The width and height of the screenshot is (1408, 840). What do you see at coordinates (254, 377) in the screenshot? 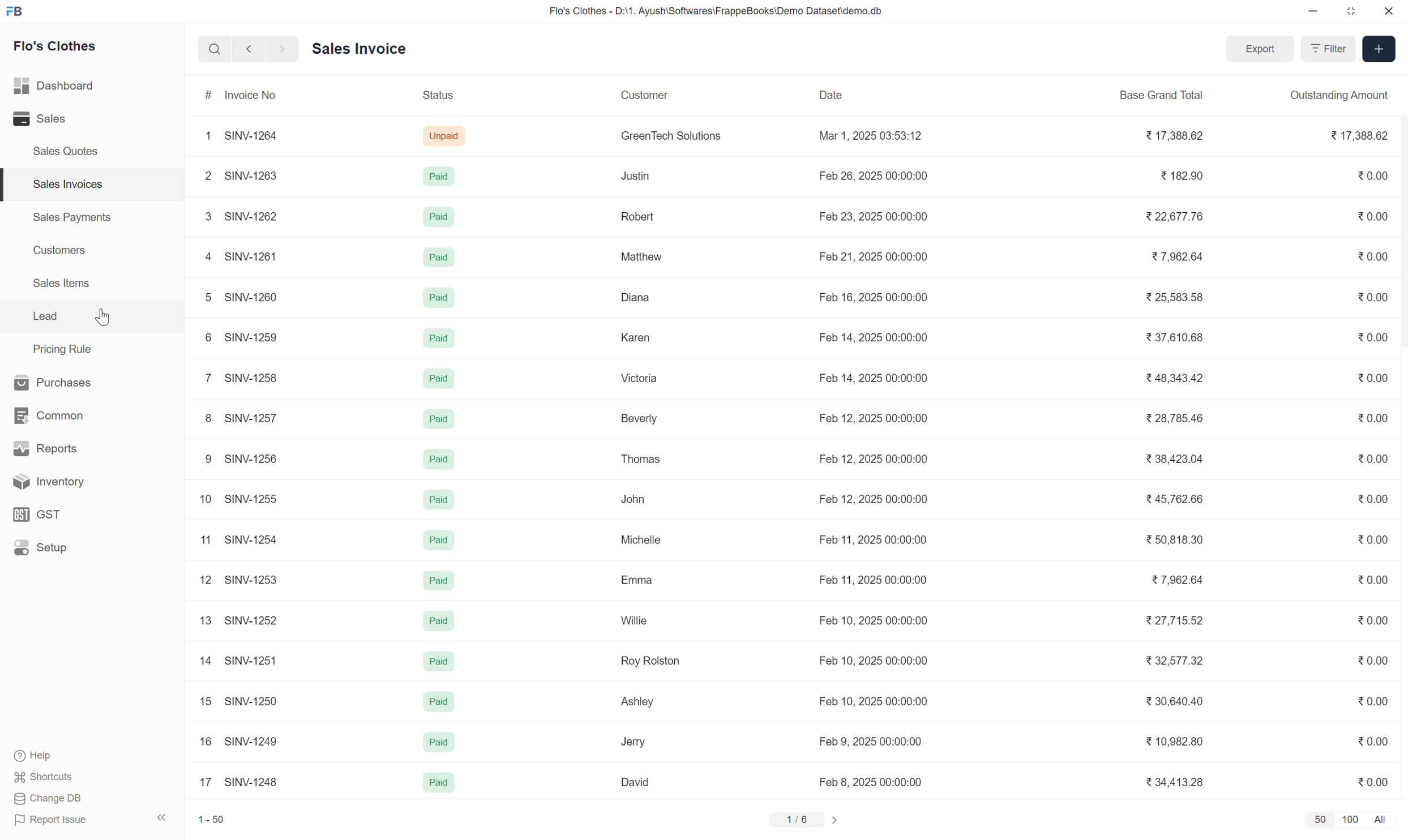
I see `SINV-1258` at bounding box center [254, 377].